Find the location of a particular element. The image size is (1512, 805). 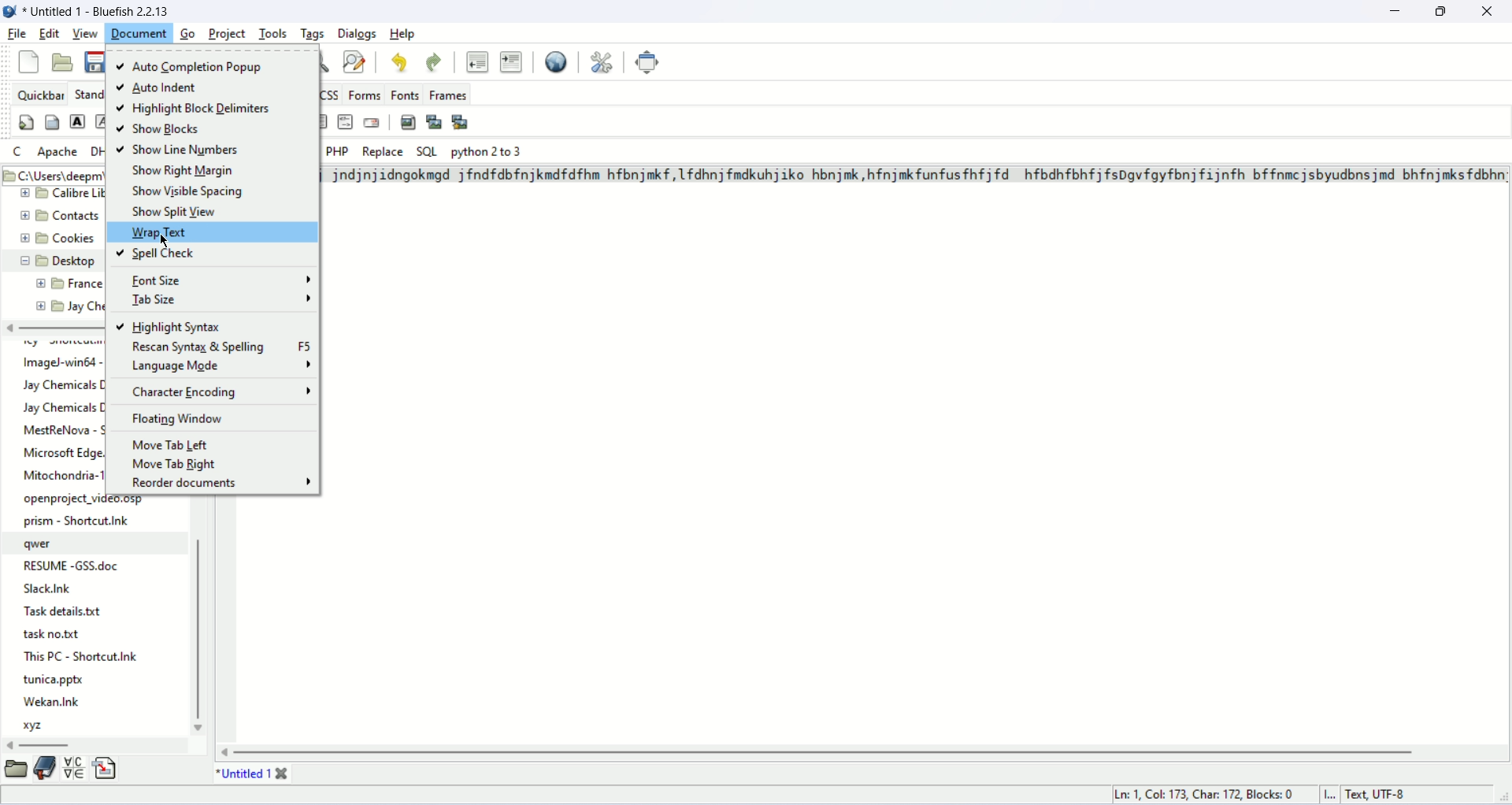

task no.txt is located at coordinates (52, 636).